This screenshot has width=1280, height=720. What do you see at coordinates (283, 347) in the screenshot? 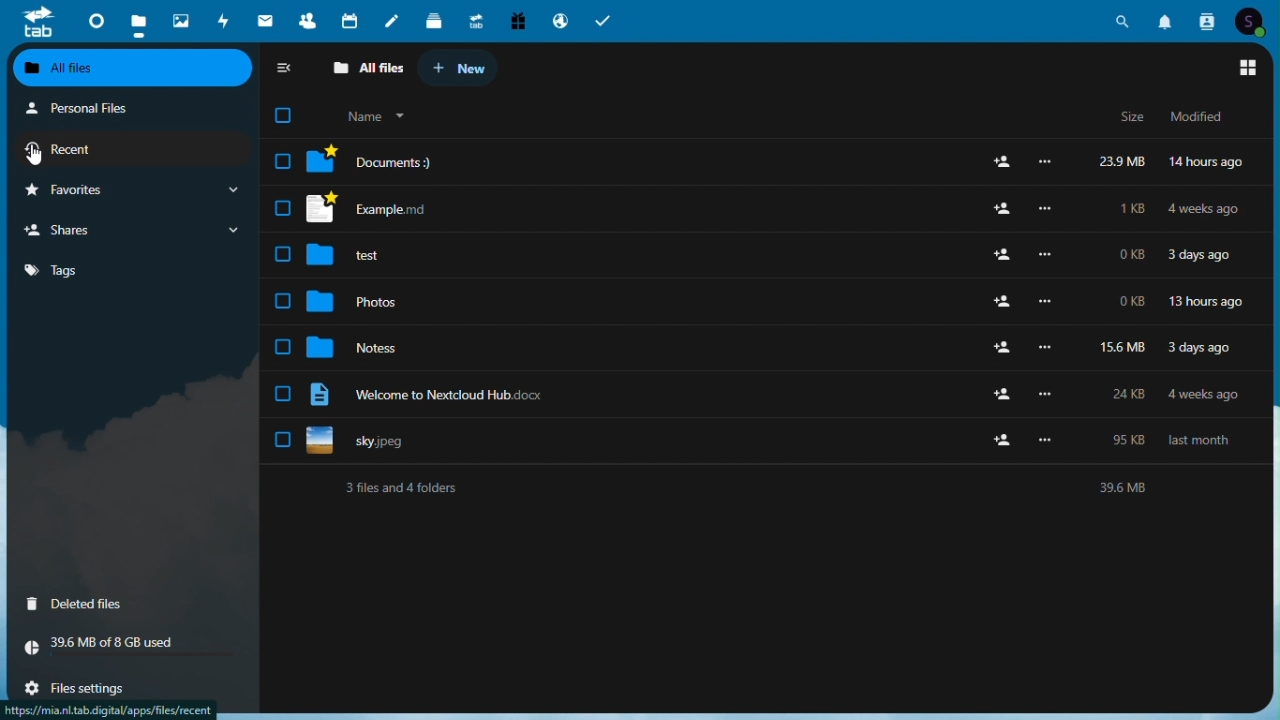
I see `checkbox` at bounding box center [283, 347].